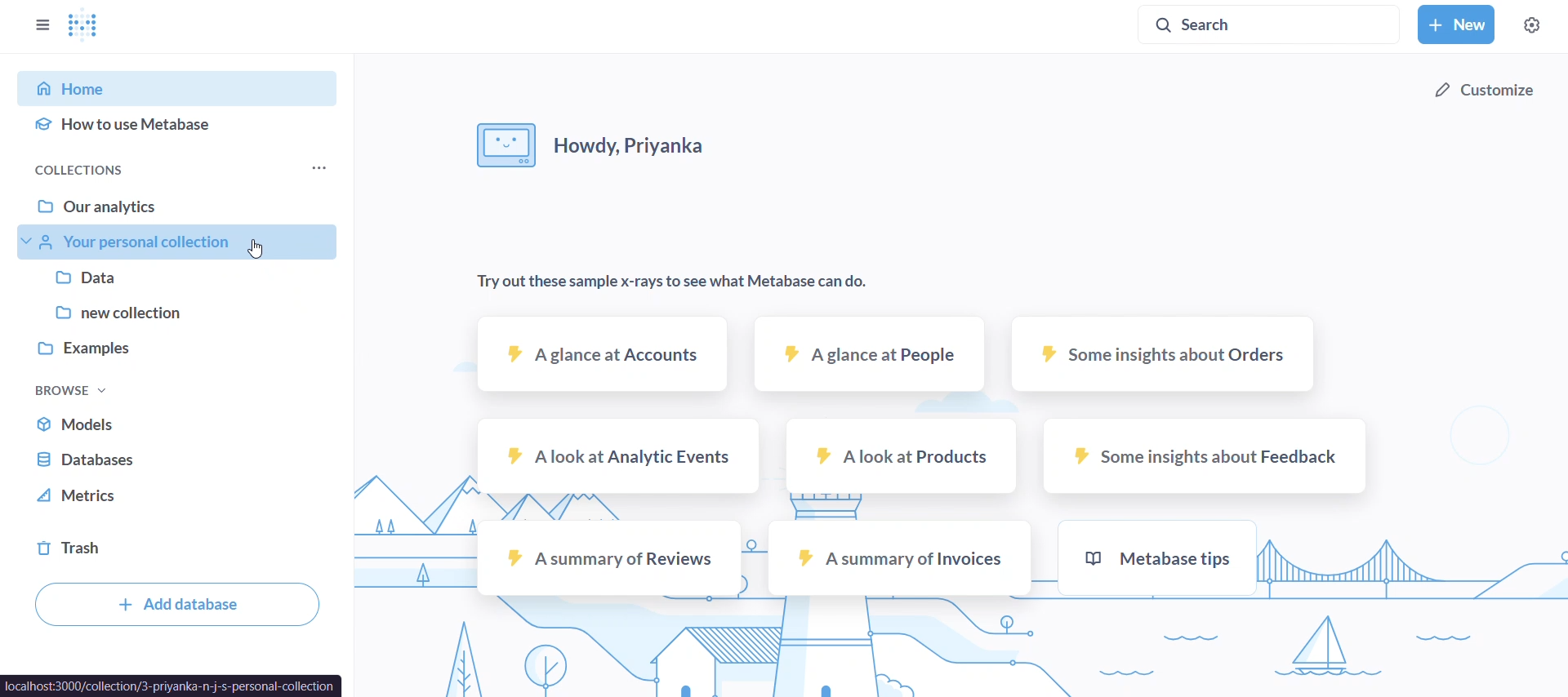  I want to click on more, so click(320, 171).